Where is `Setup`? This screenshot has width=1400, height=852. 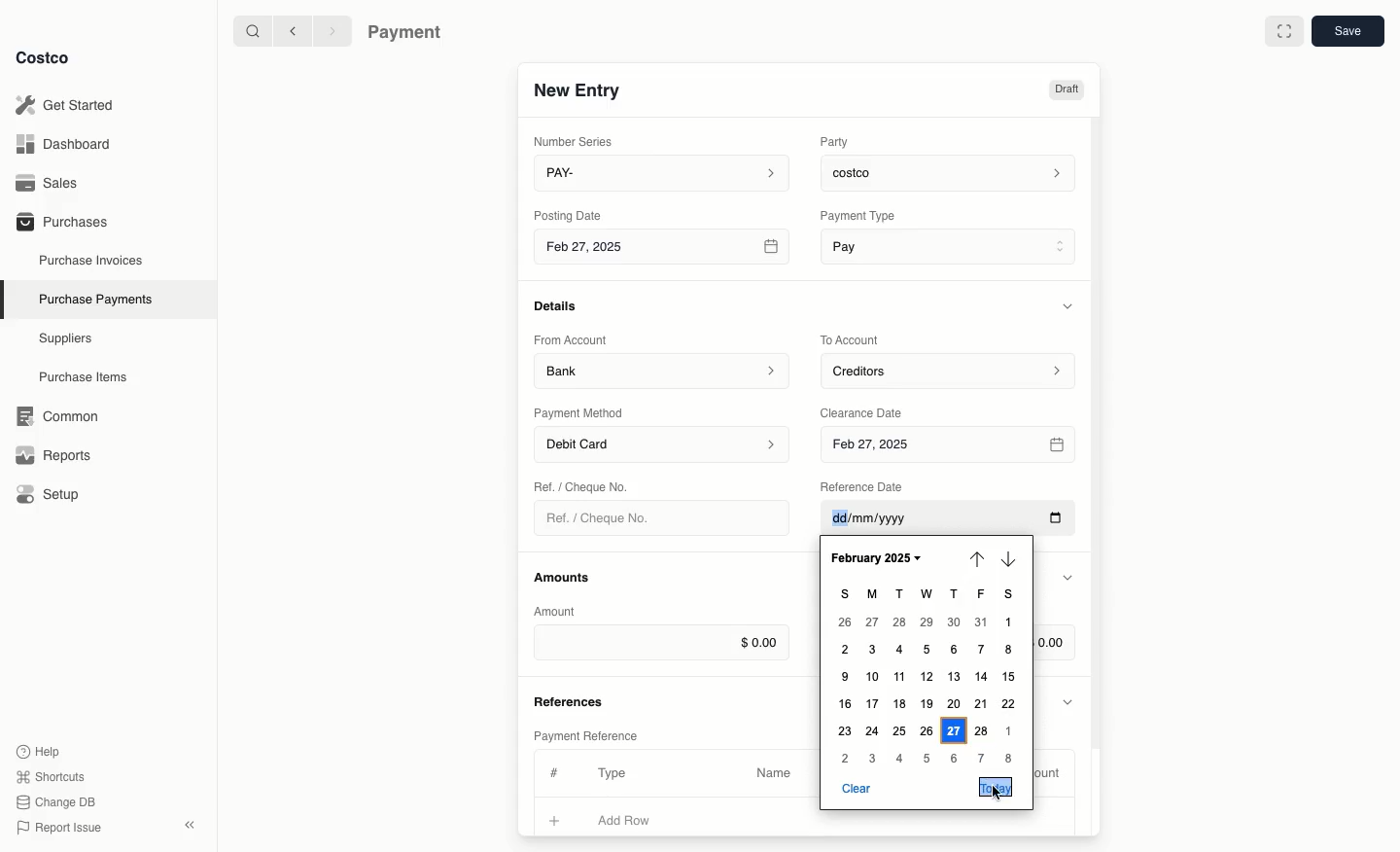
Setup is located at coordinates (54, 496).